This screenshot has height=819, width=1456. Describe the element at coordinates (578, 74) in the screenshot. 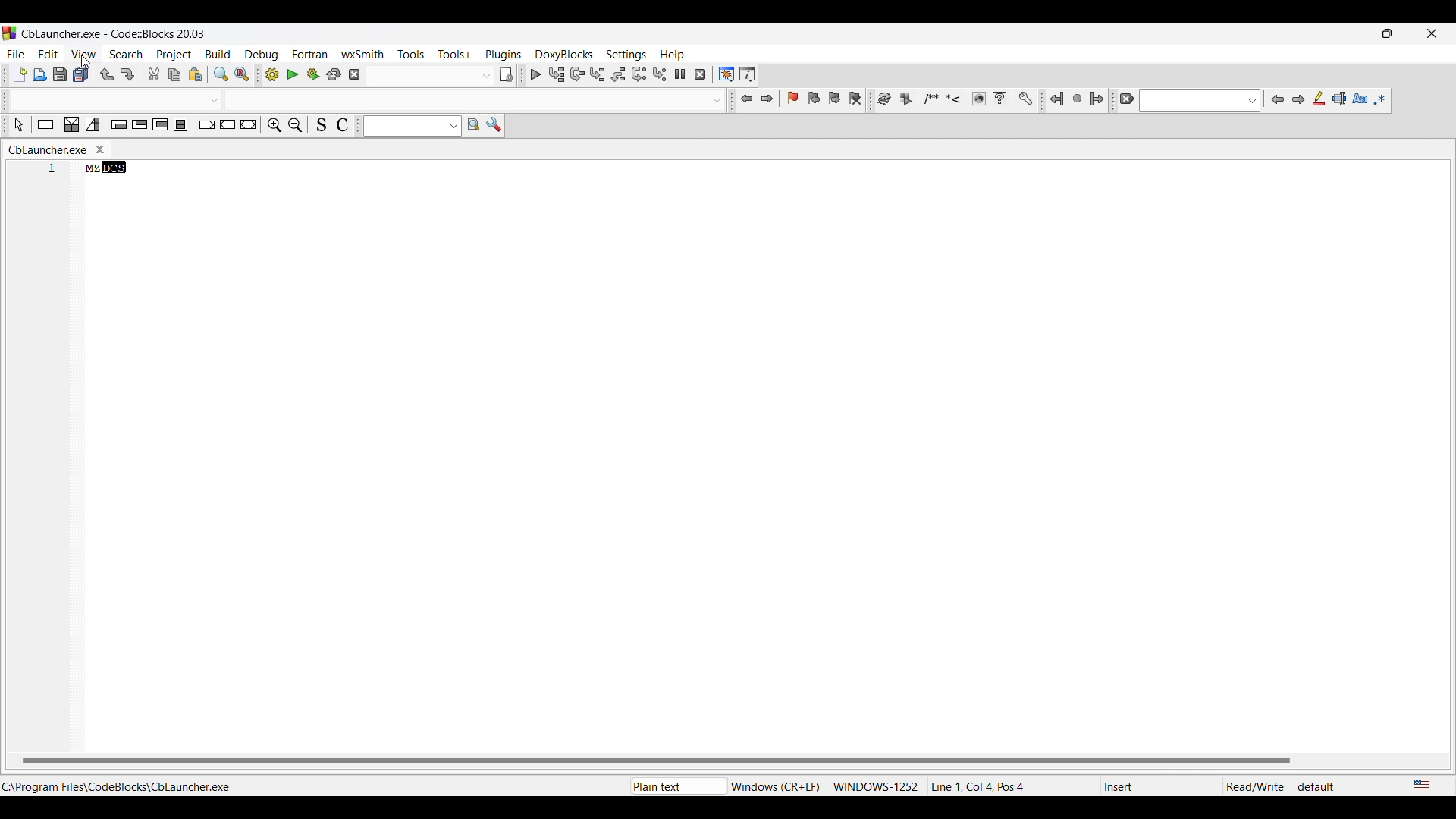

I see `Next line` at that location.